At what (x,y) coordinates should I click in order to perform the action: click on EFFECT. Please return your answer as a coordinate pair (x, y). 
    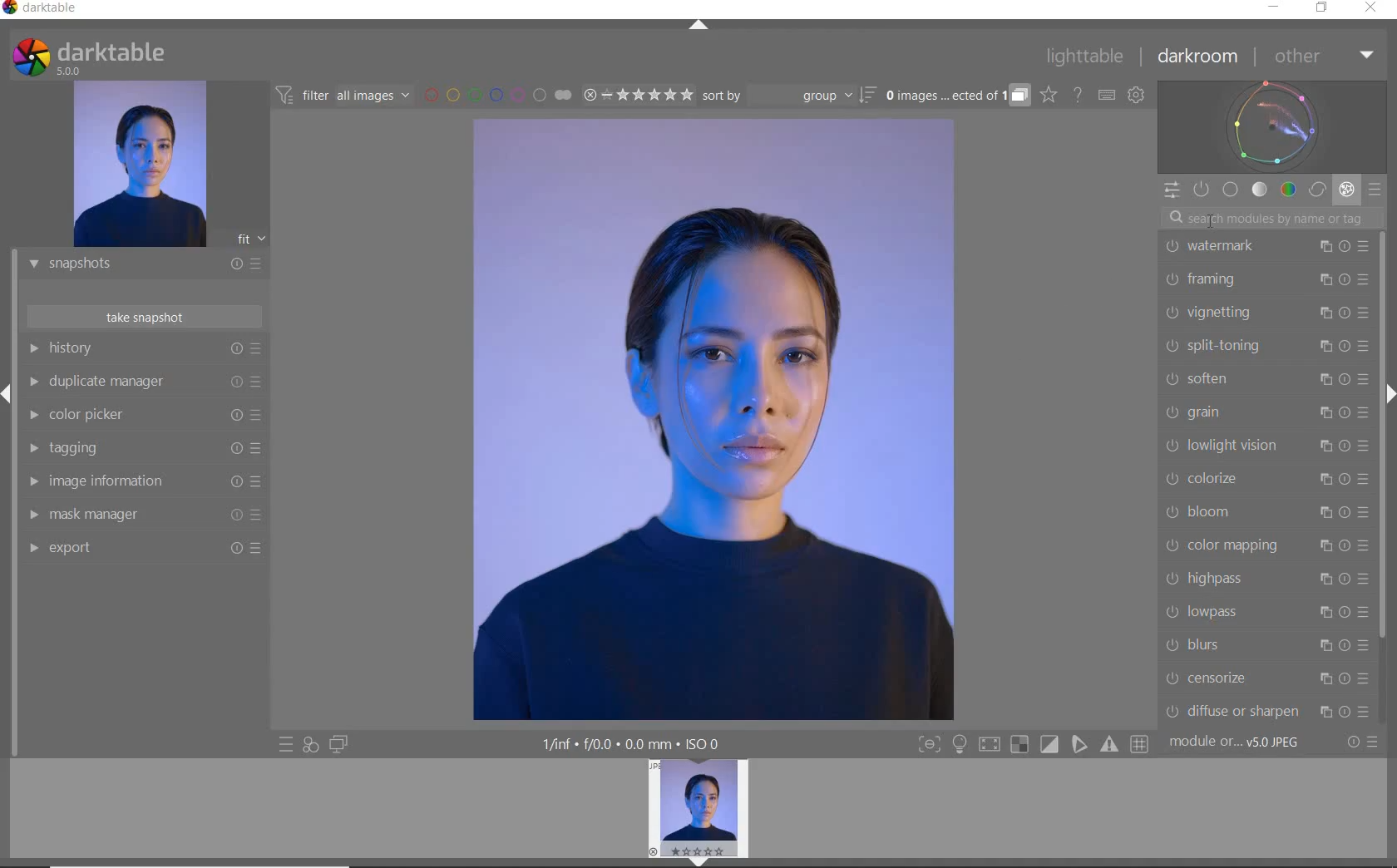
    Looking at the image, I should click on (1346, 189).